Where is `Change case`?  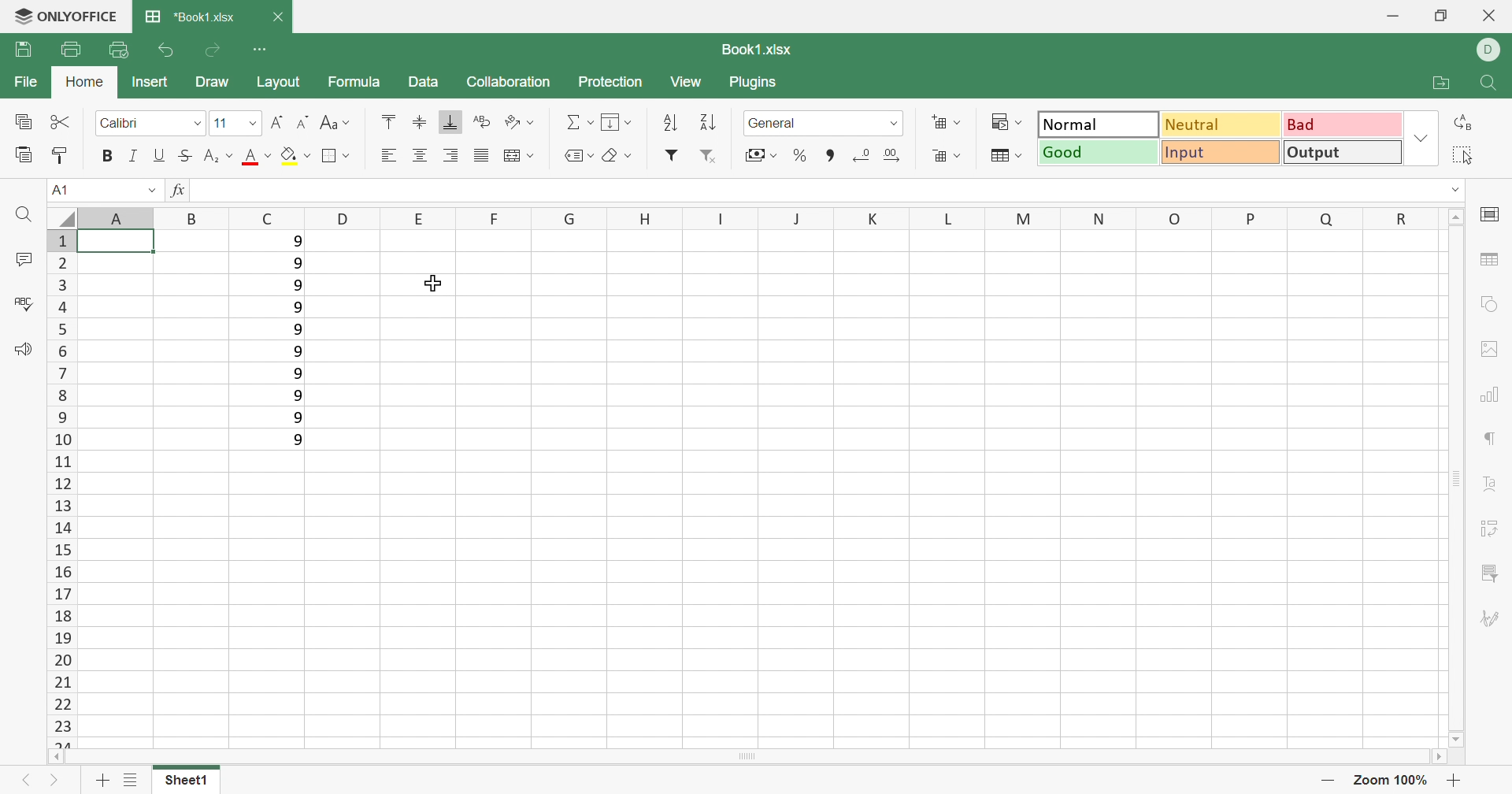 Change case is located at coordinates (336, 123).